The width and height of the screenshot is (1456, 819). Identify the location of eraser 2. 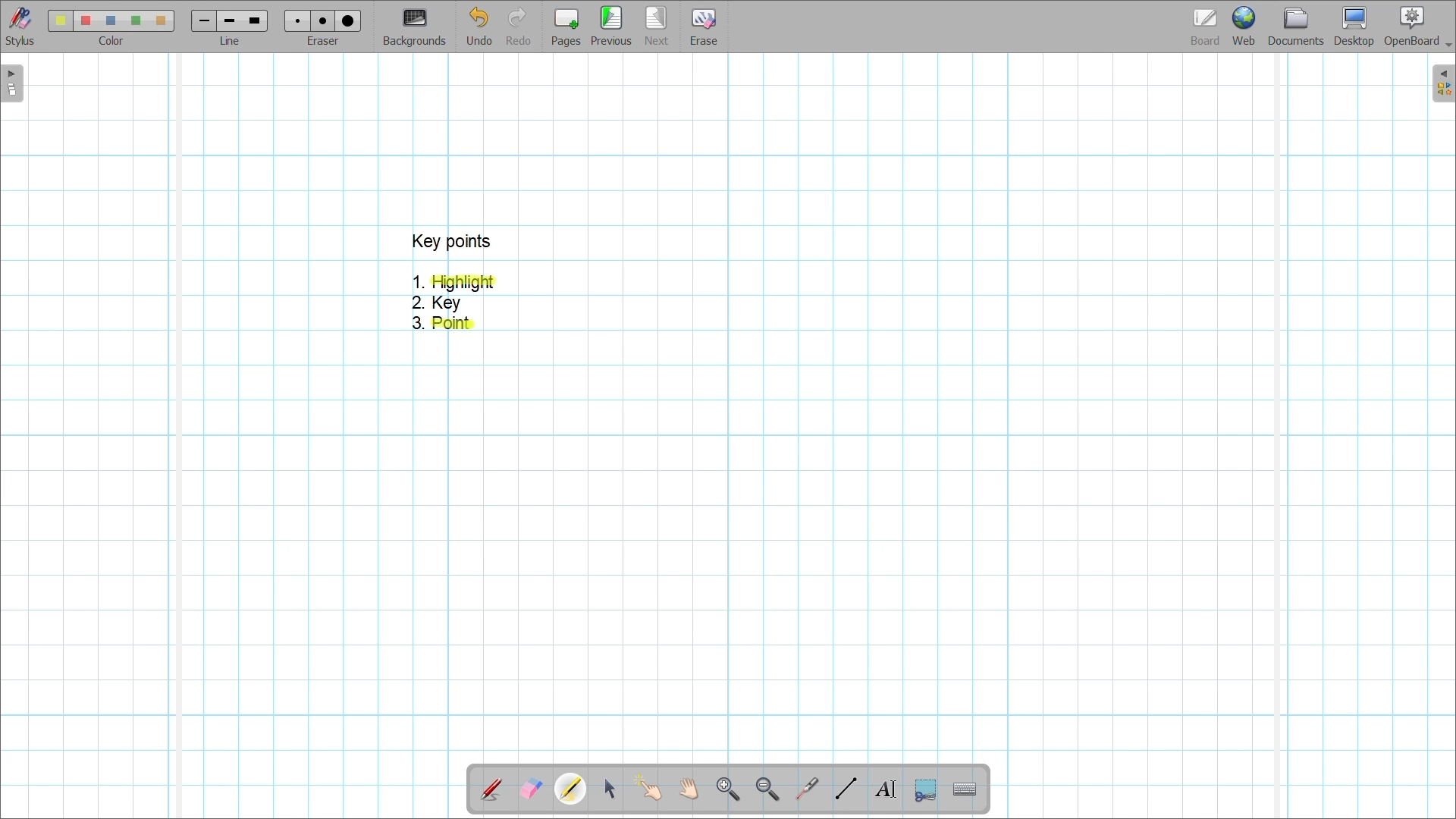
(322, 20).